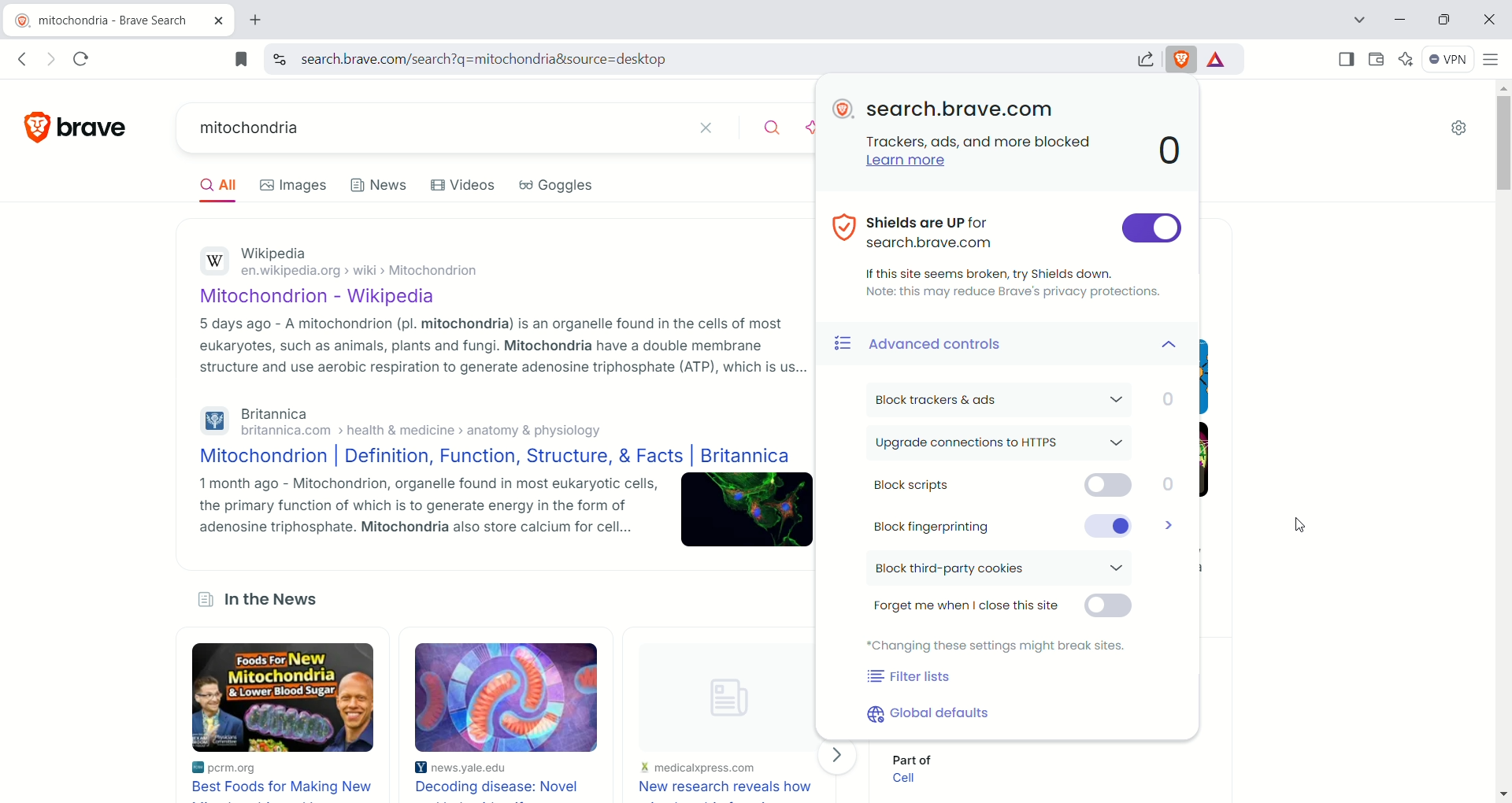 This screenshot has width=1512, height=803. I want to click on 1 month ago - Mitochondrion, organelle found in most eukaryotic cells,
the primary function of which is to generate energy in the form of
adenosine triphosphate. Mitochondria also store calcium for cell..., so click(429, 506).